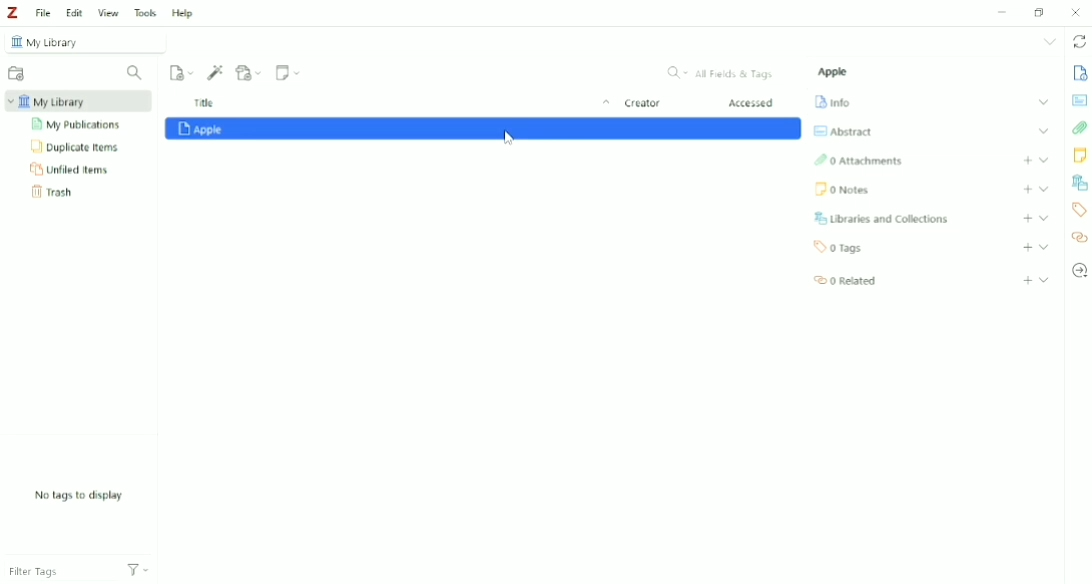  What do you see at coordinates (75, 102) in the screenshot?
I see `My Library` at bounding box center [75, 102].